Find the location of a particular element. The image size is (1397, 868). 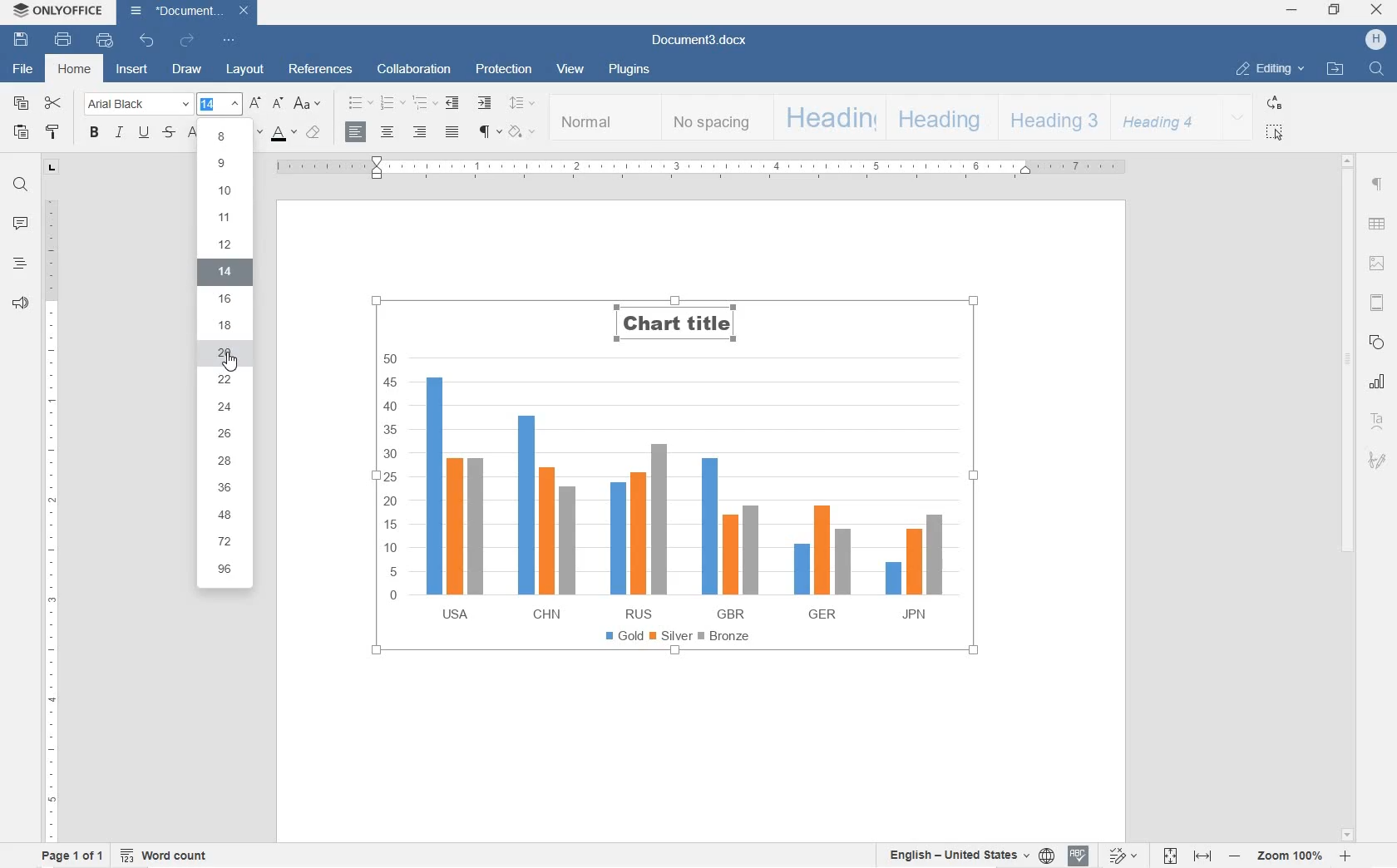

48 is located at coordinates (224, 515).